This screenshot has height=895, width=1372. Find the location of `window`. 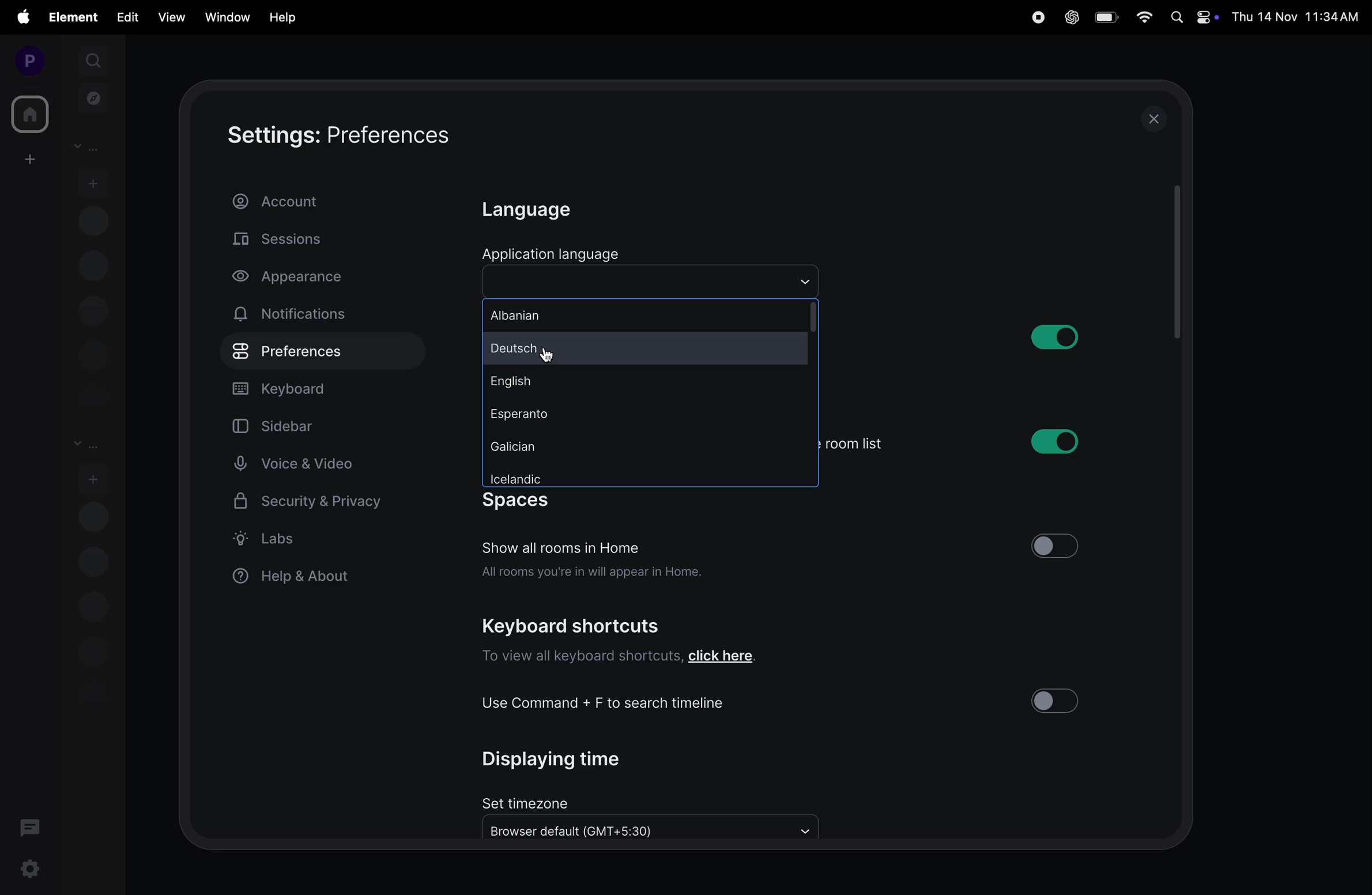

window is located at coordinates (223, 18).